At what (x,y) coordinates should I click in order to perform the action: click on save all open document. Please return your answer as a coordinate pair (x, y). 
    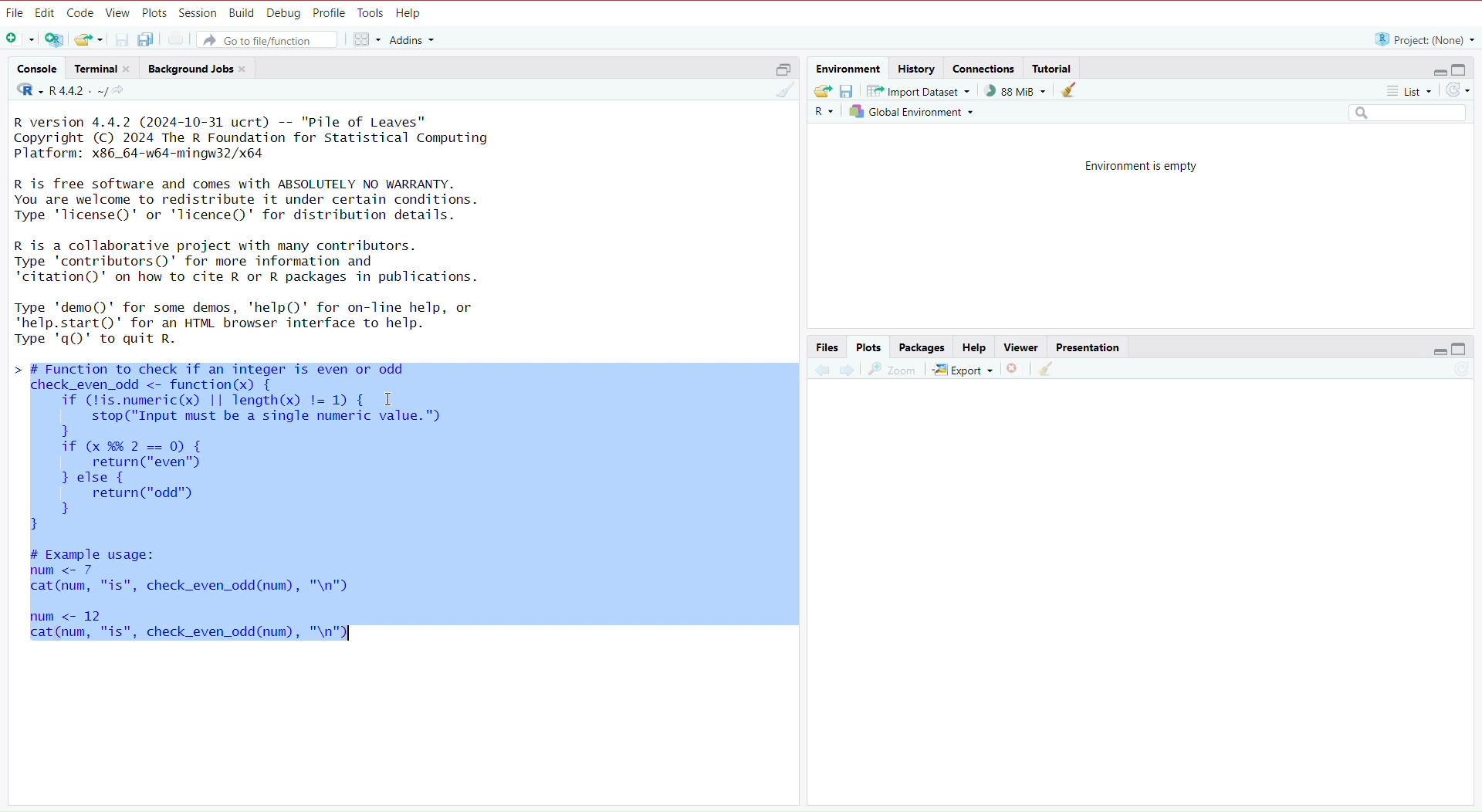
    Looking at the image, I should click on (147, 39).